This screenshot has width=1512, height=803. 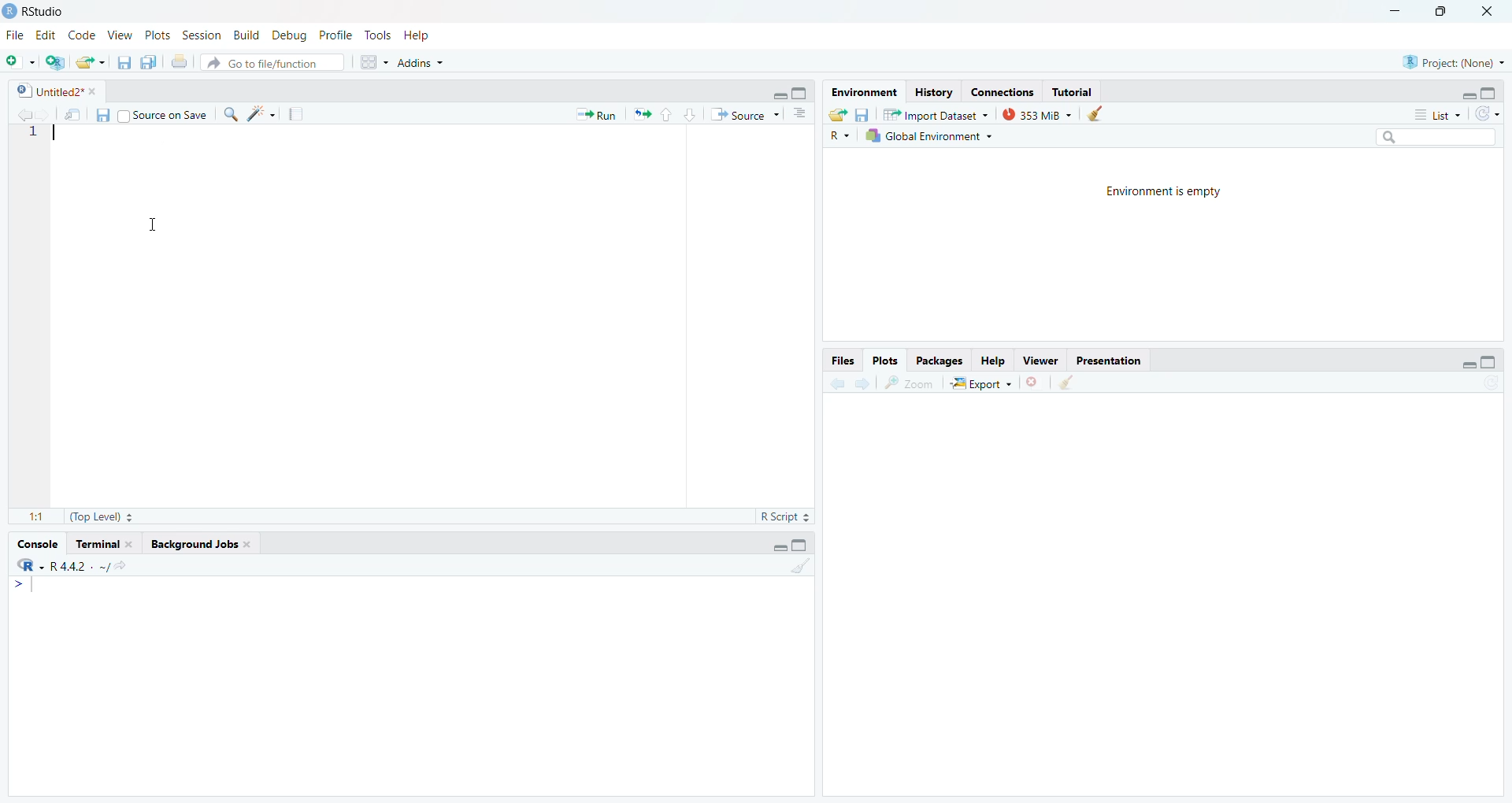 What do you see at coordinates (688, 115) in the screenshot?
I see `go to next selection/chunk` at bounding box center [688, 115].